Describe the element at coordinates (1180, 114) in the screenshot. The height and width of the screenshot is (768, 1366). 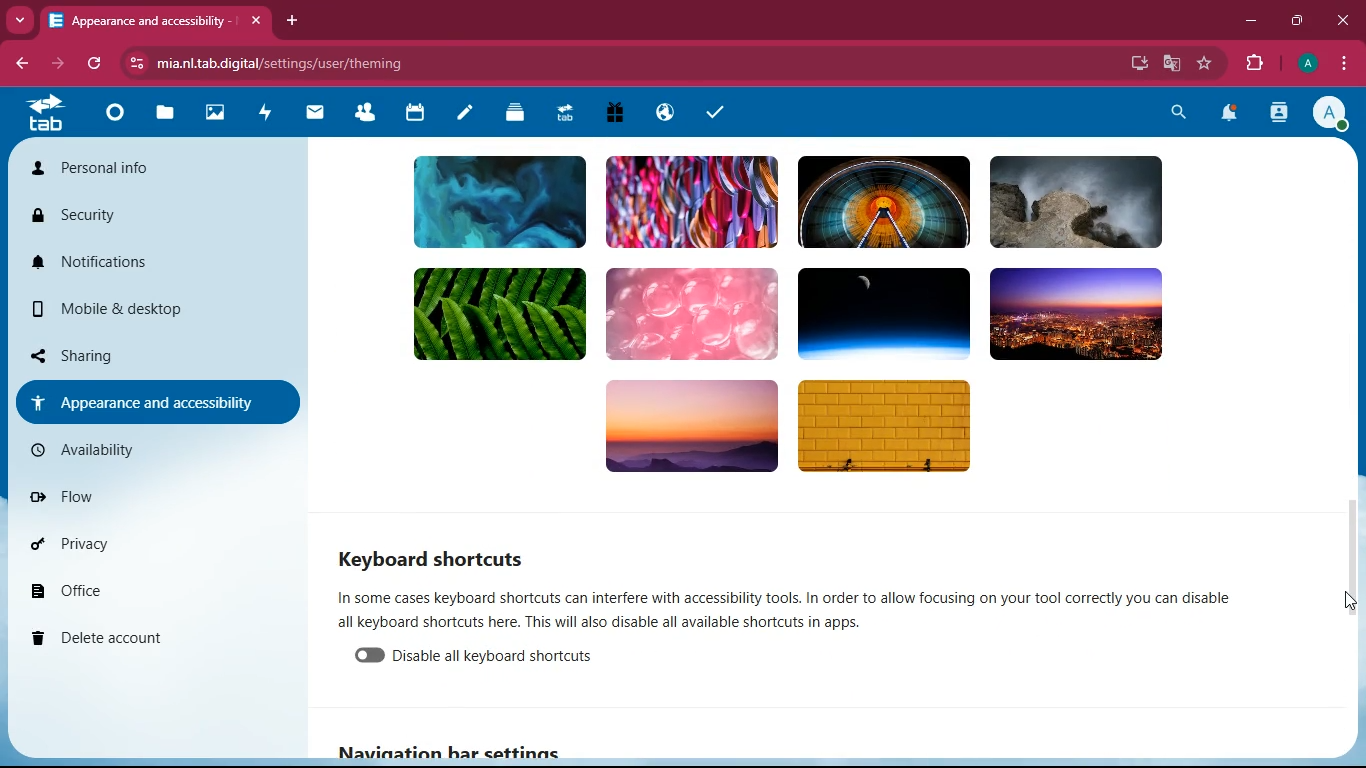
I see `search` at that location.